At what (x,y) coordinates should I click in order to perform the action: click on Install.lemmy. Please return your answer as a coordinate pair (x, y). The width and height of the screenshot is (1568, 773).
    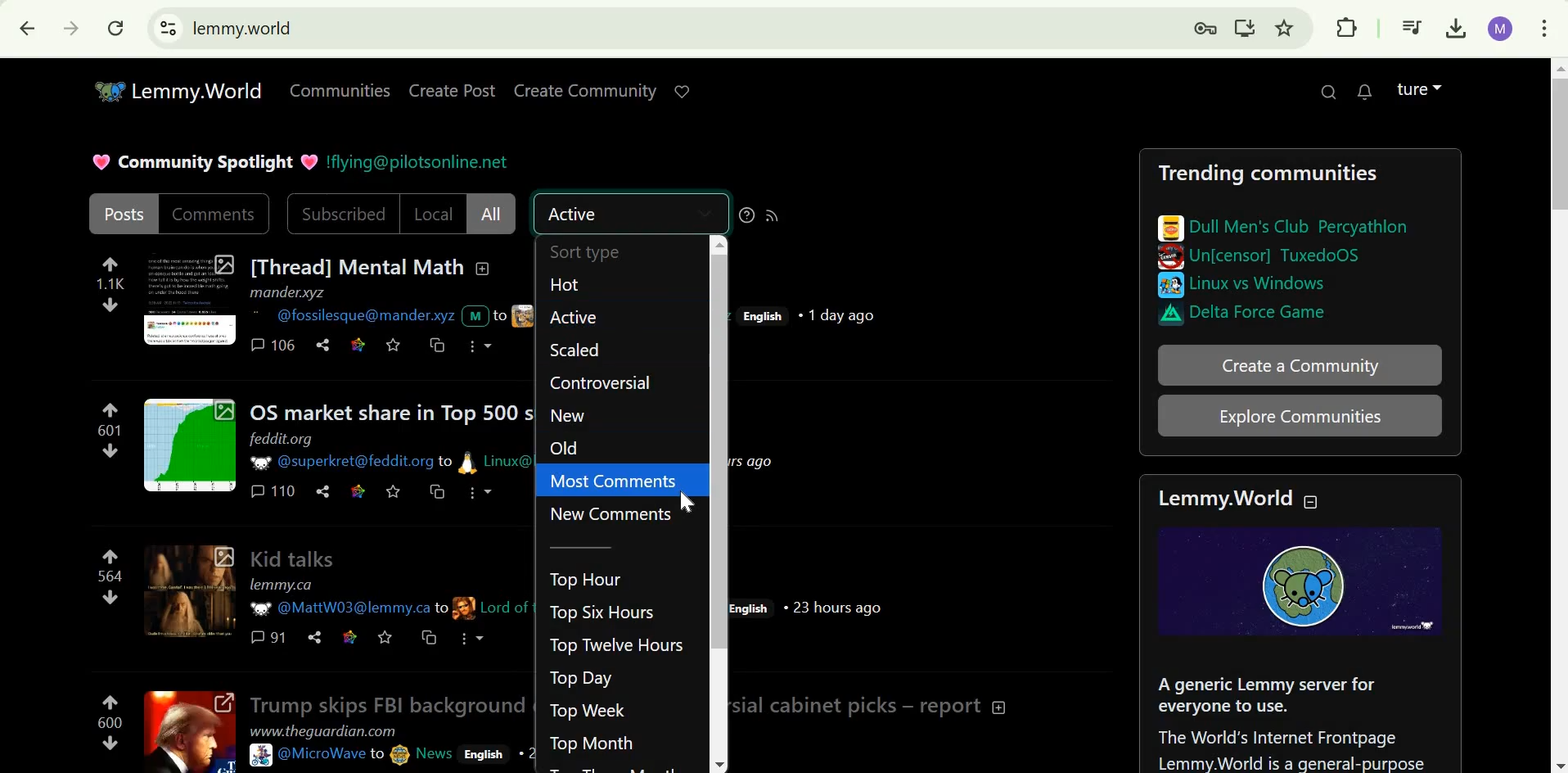
    Looking at the image, I should click on (1246, 29).